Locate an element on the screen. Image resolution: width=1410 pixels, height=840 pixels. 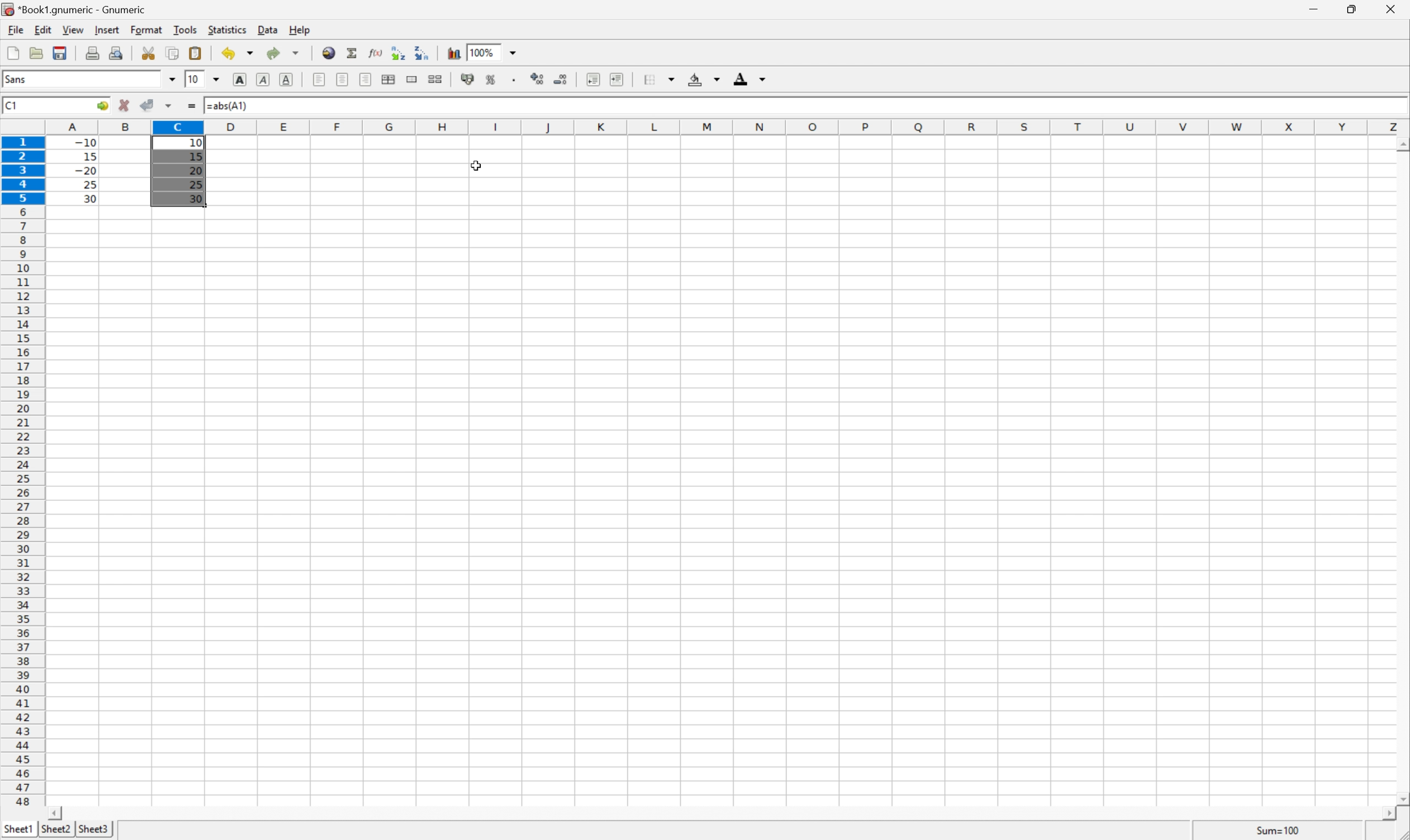
100% is located at coordinates (484, 52).